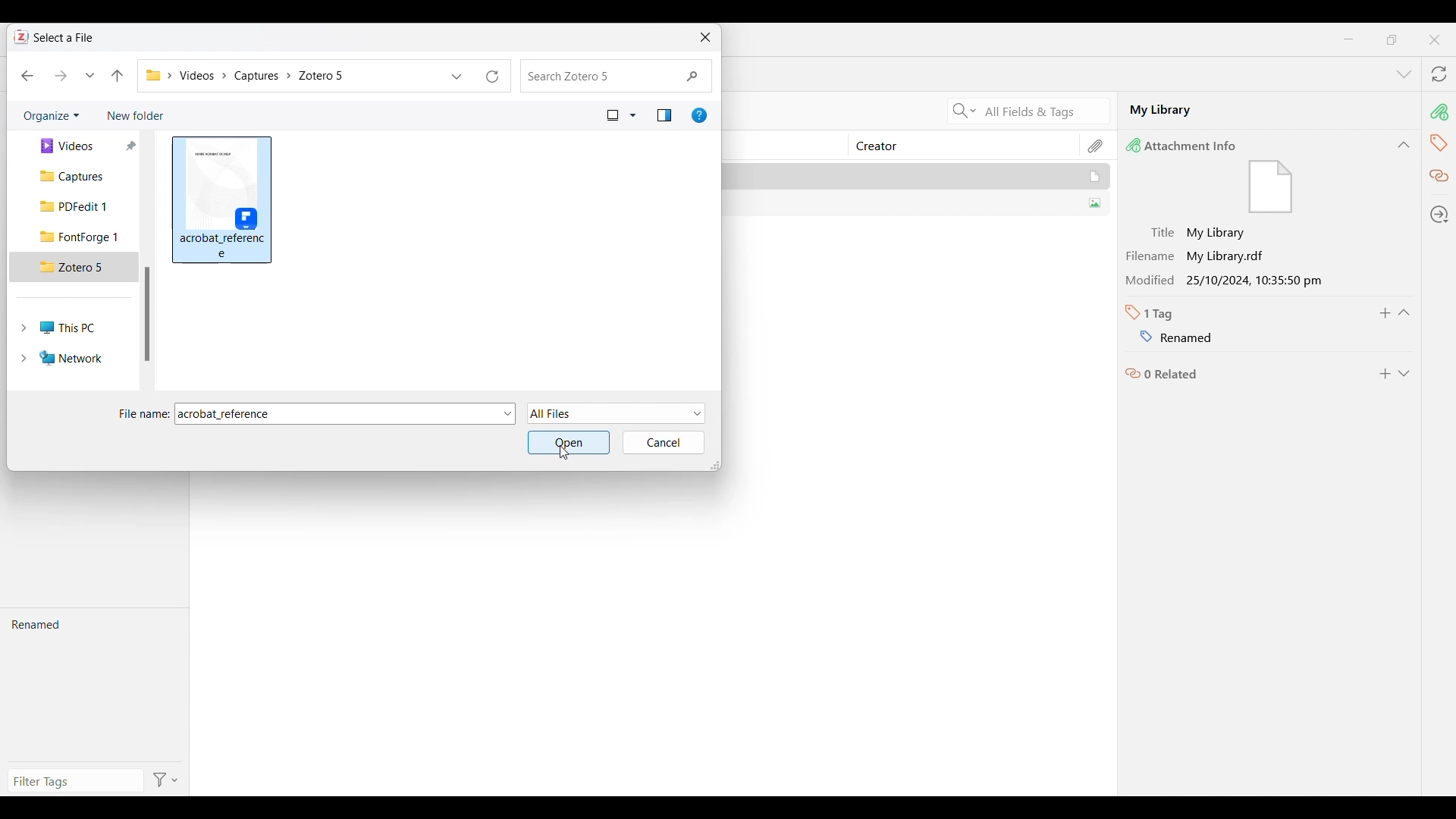  I want to click on Attachment, so click(1097, 145).